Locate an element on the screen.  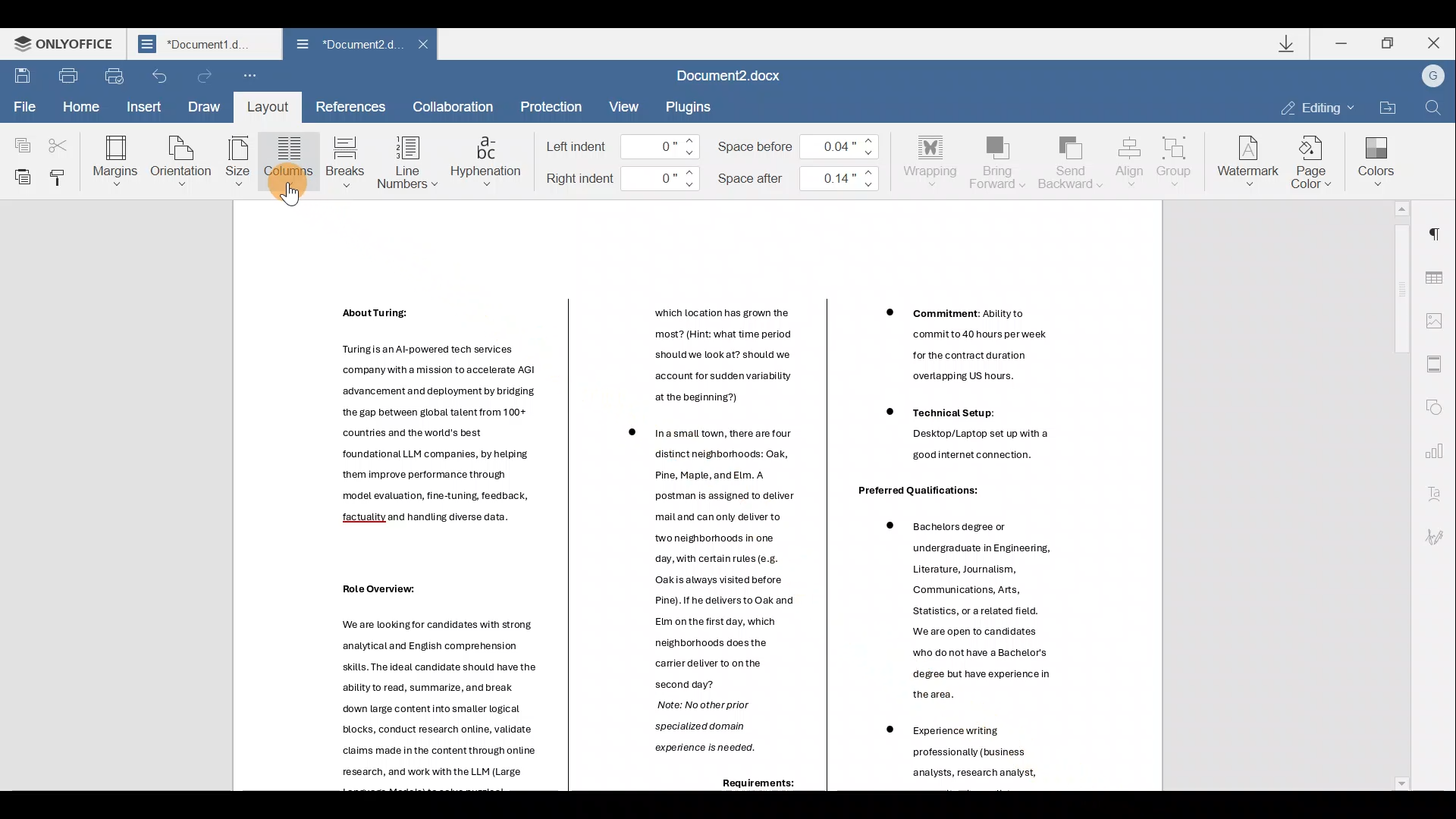
Watermark is located at coordinates (1245, 159).